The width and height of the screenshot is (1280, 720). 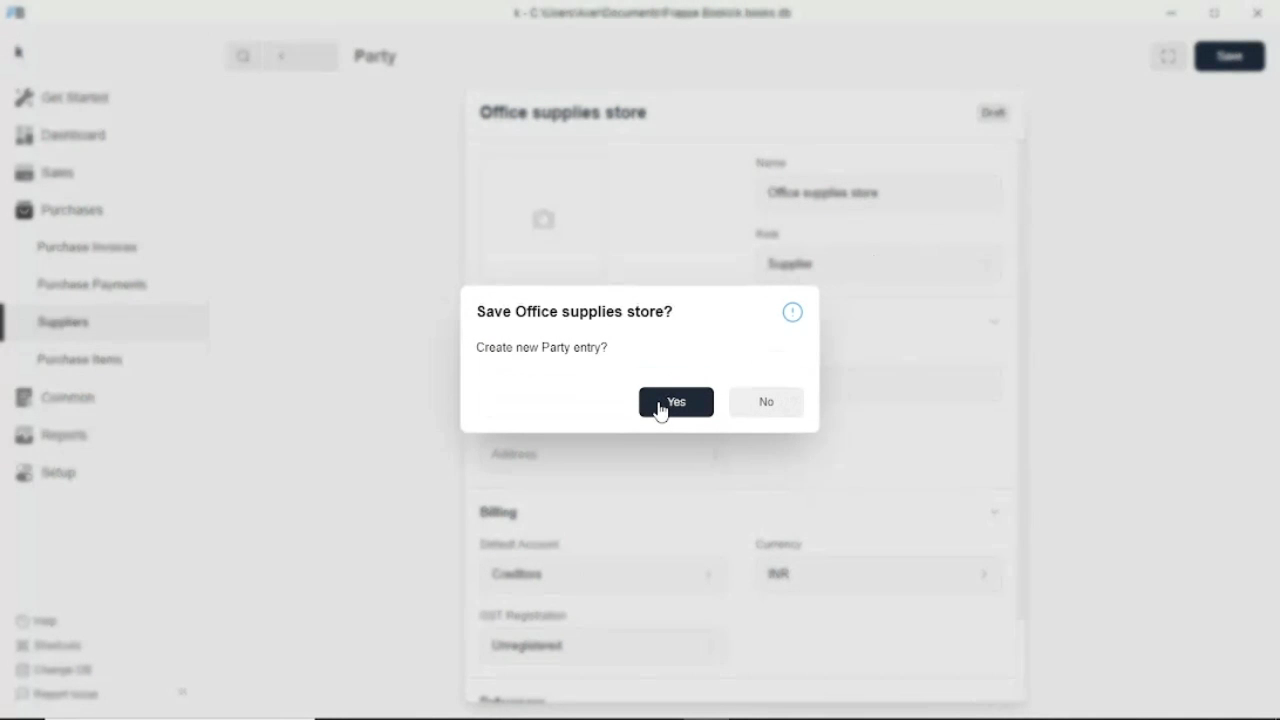 I want to click on Forward, so click(x=322, y=55).